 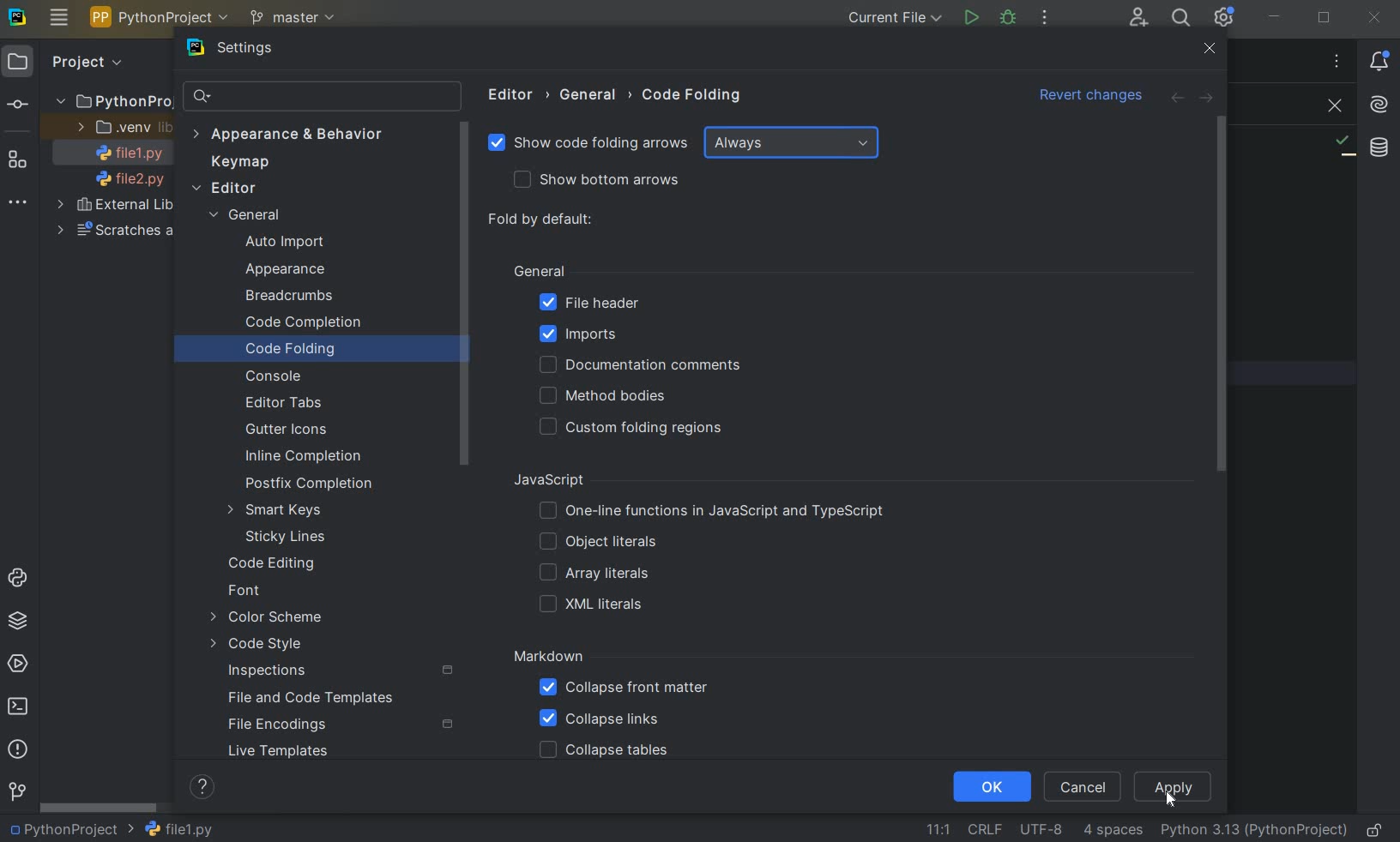 I want to click on ALWAYS, so click(x=795, y=143).